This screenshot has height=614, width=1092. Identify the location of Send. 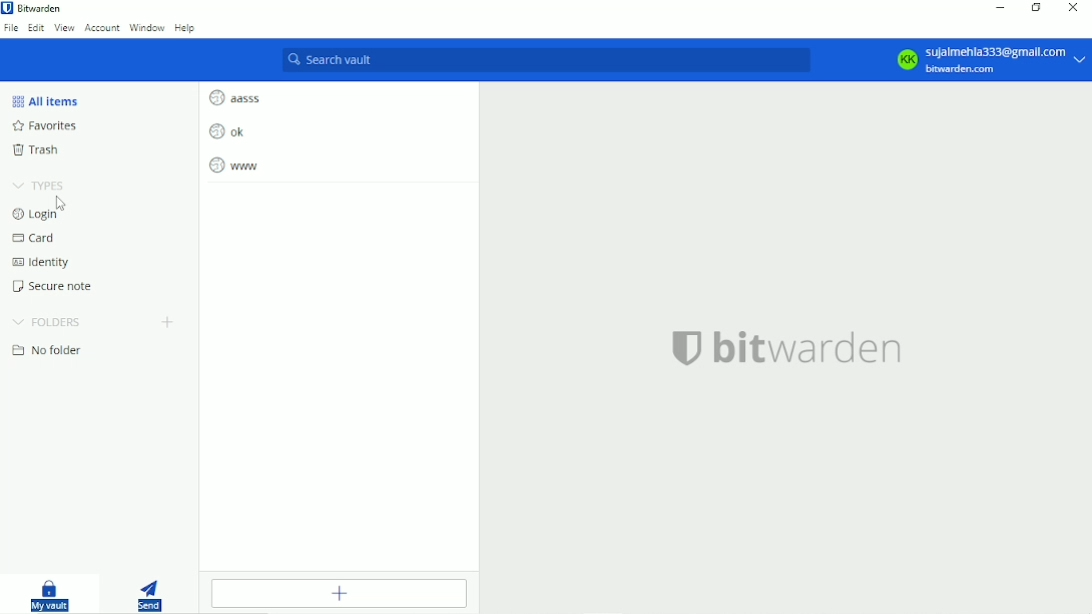
(152, 592).